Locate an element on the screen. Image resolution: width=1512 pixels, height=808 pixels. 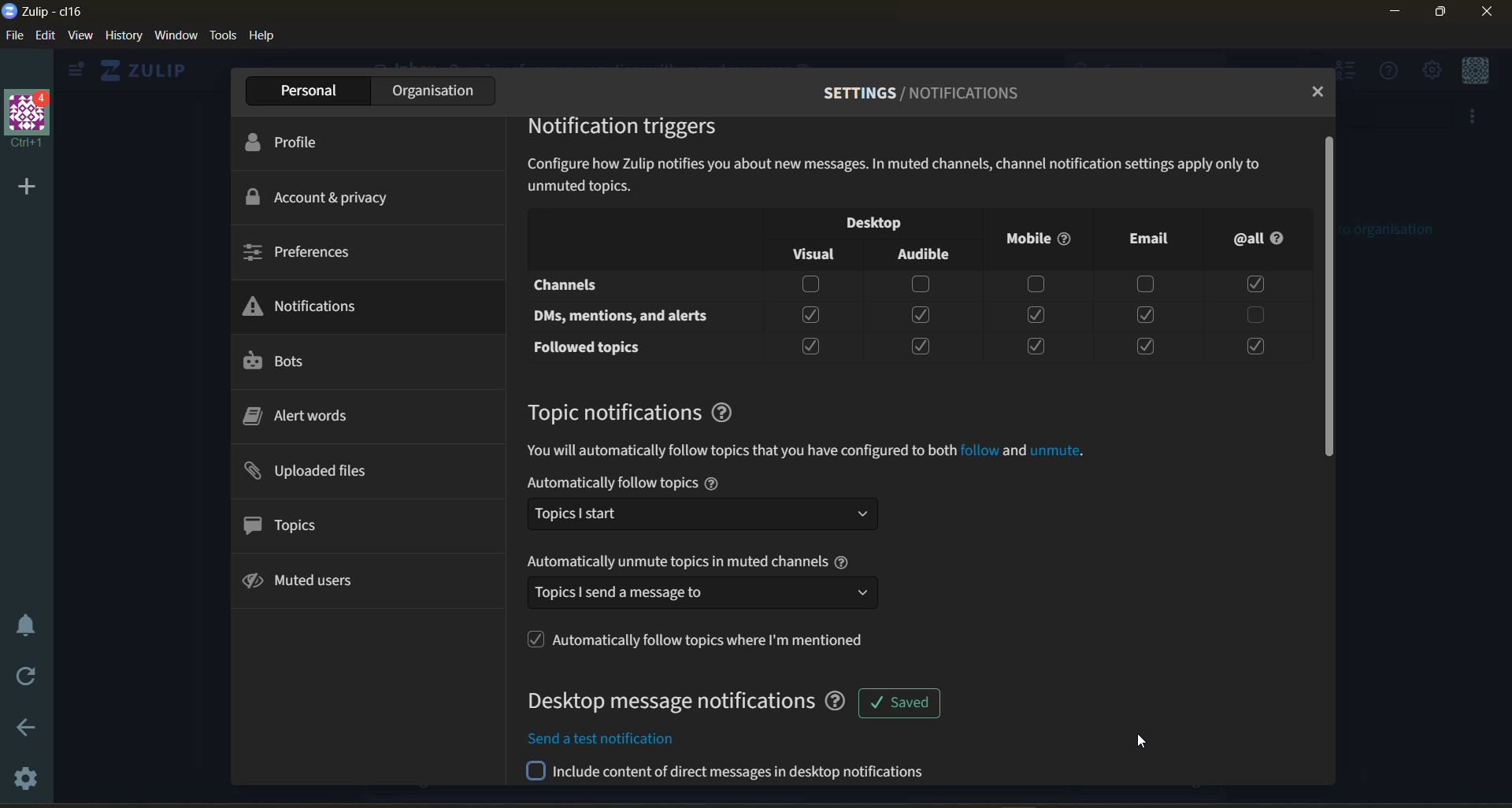
topic notifications is located at coordinates (612, 412).